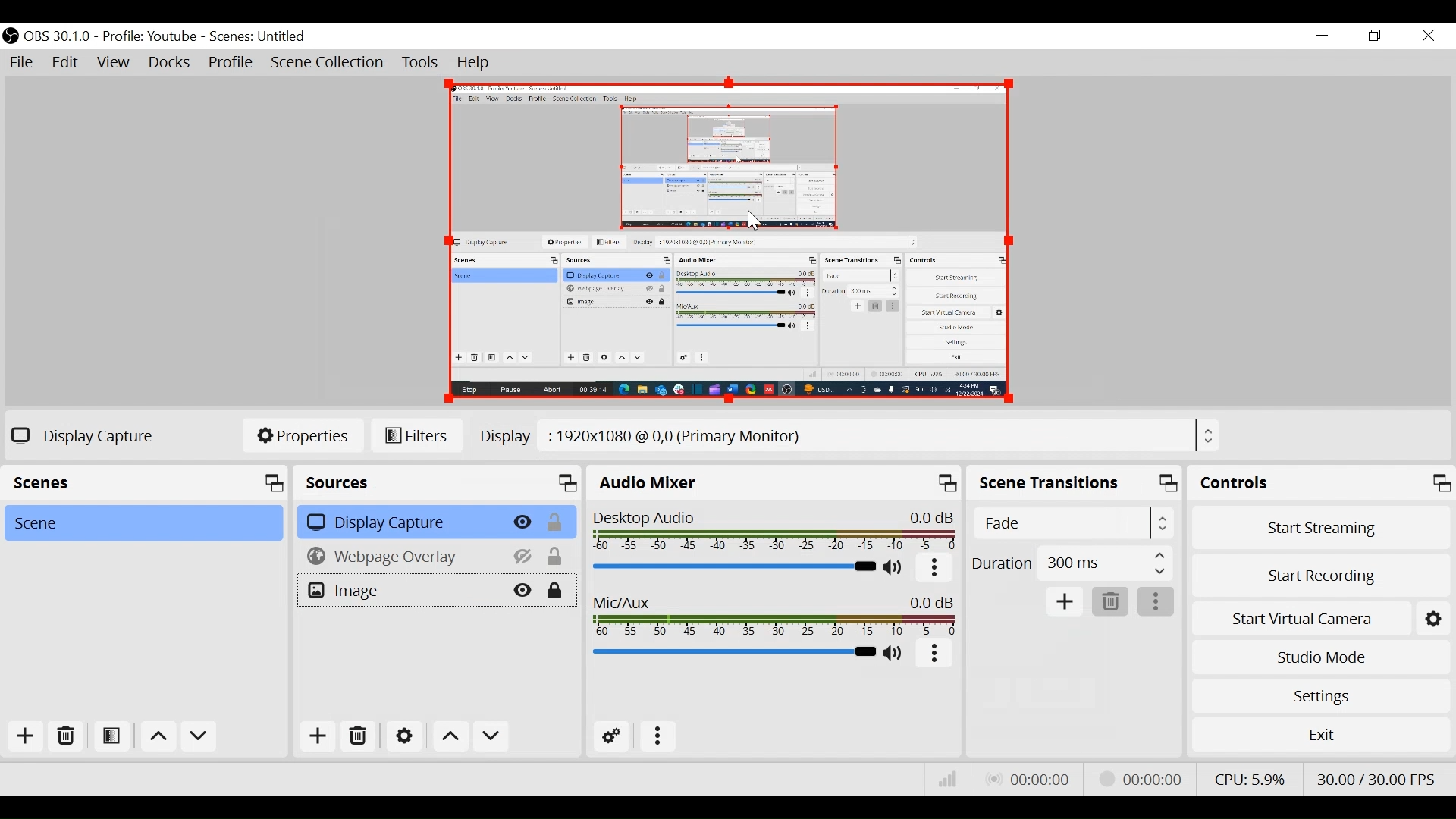  I want to click on Fade, so click(1073, 523).